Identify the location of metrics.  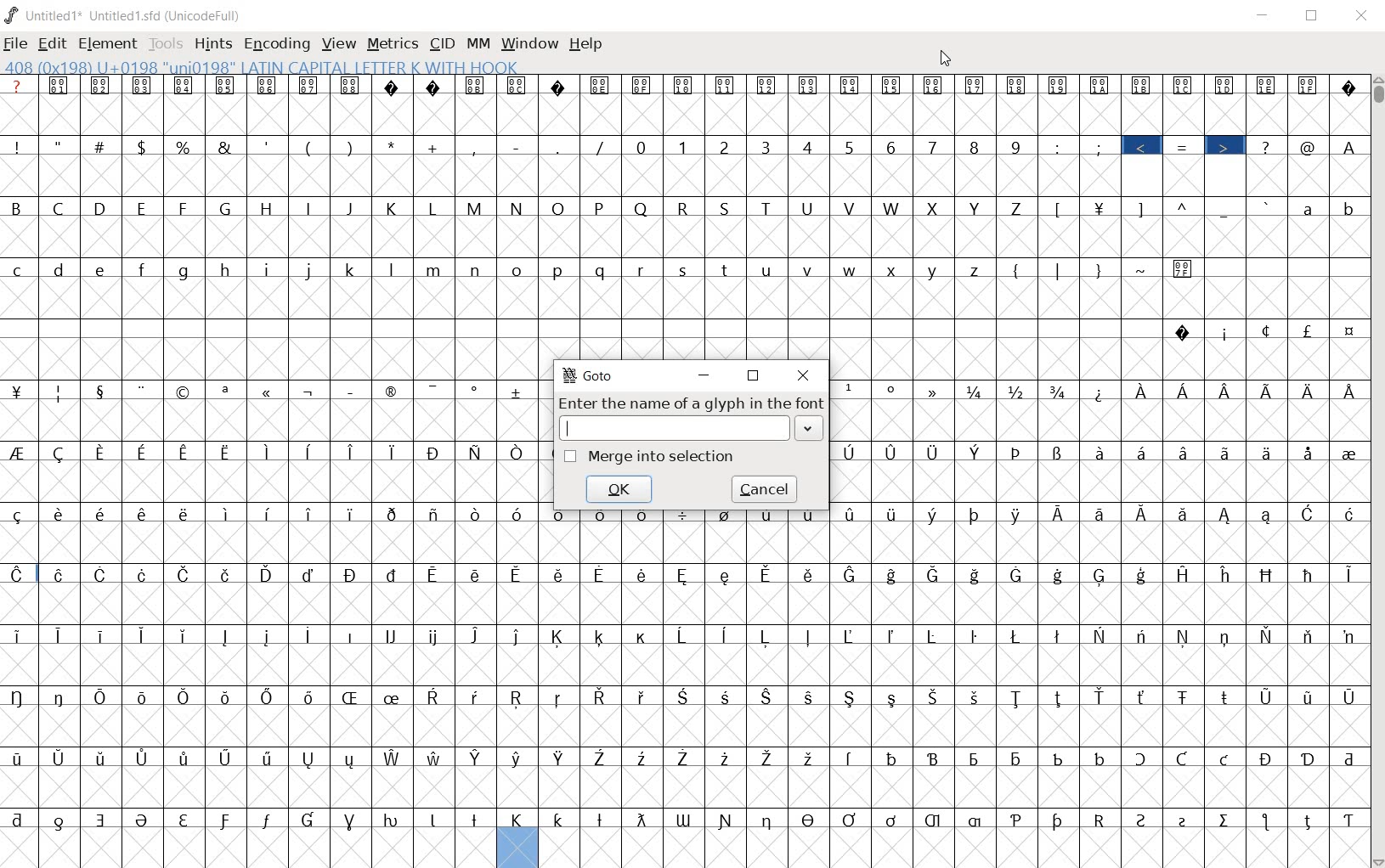
(394, 43).